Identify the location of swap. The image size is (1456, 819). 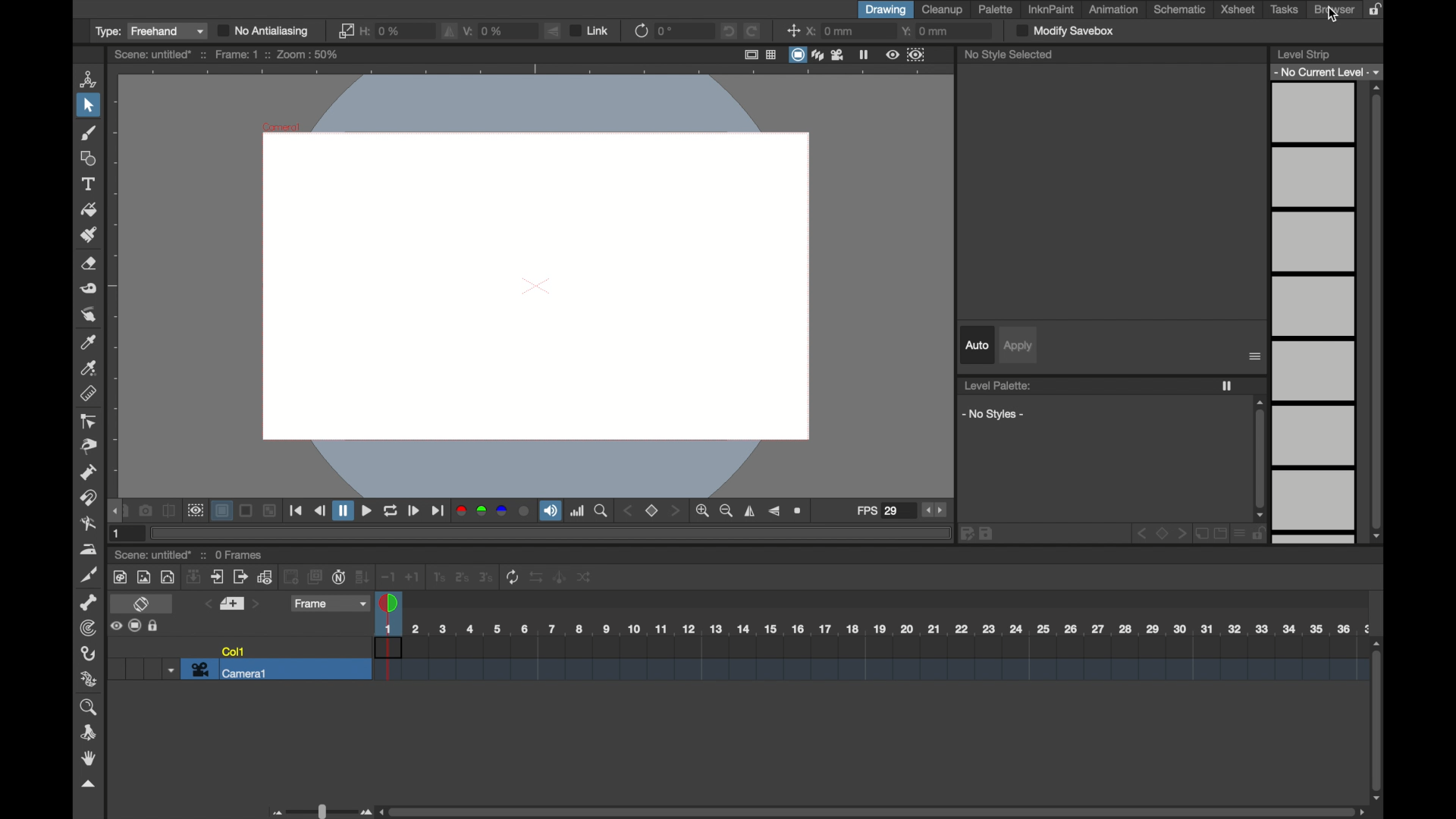
(536, 576).